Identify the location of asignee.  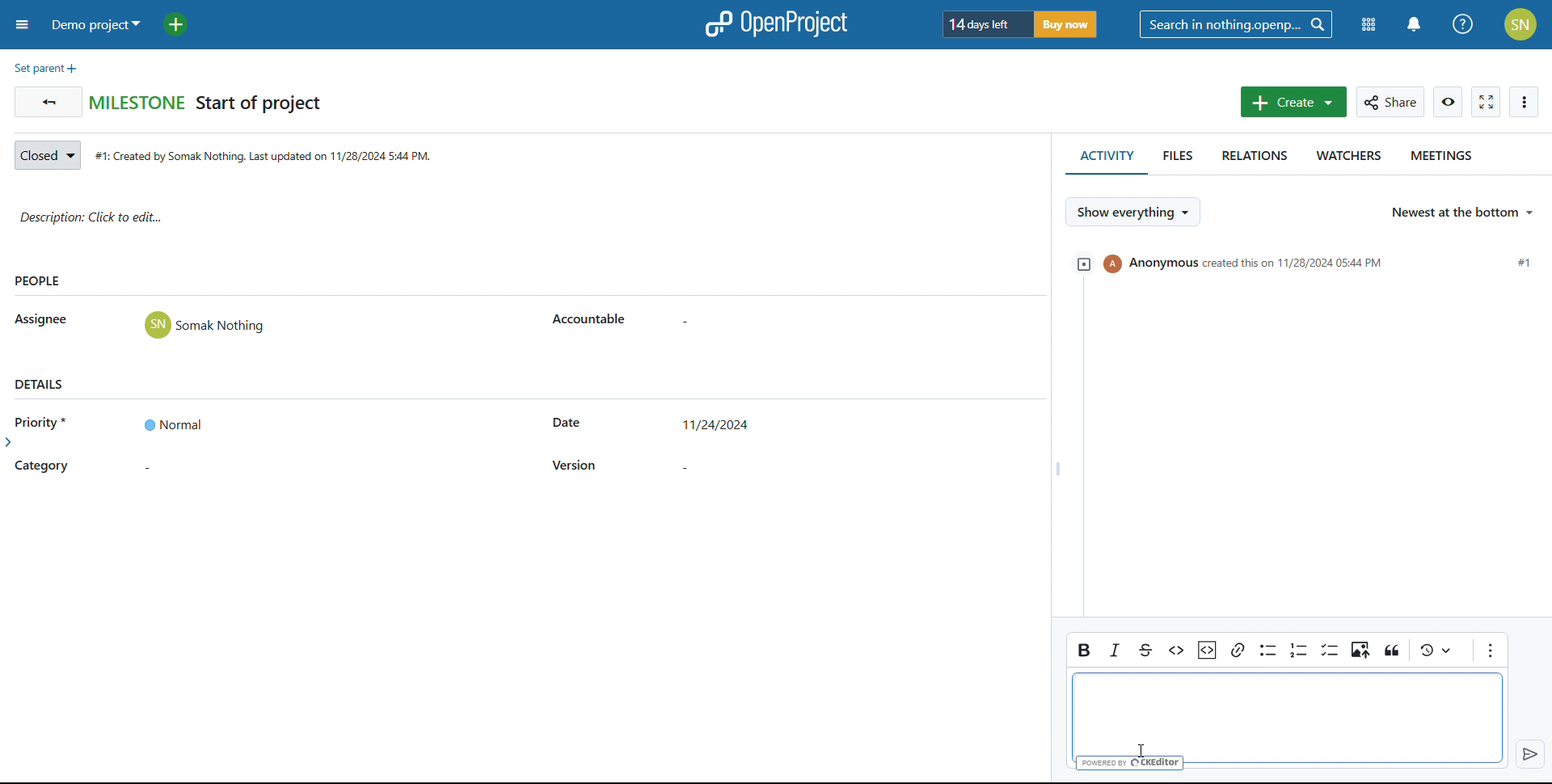
(43, 320).